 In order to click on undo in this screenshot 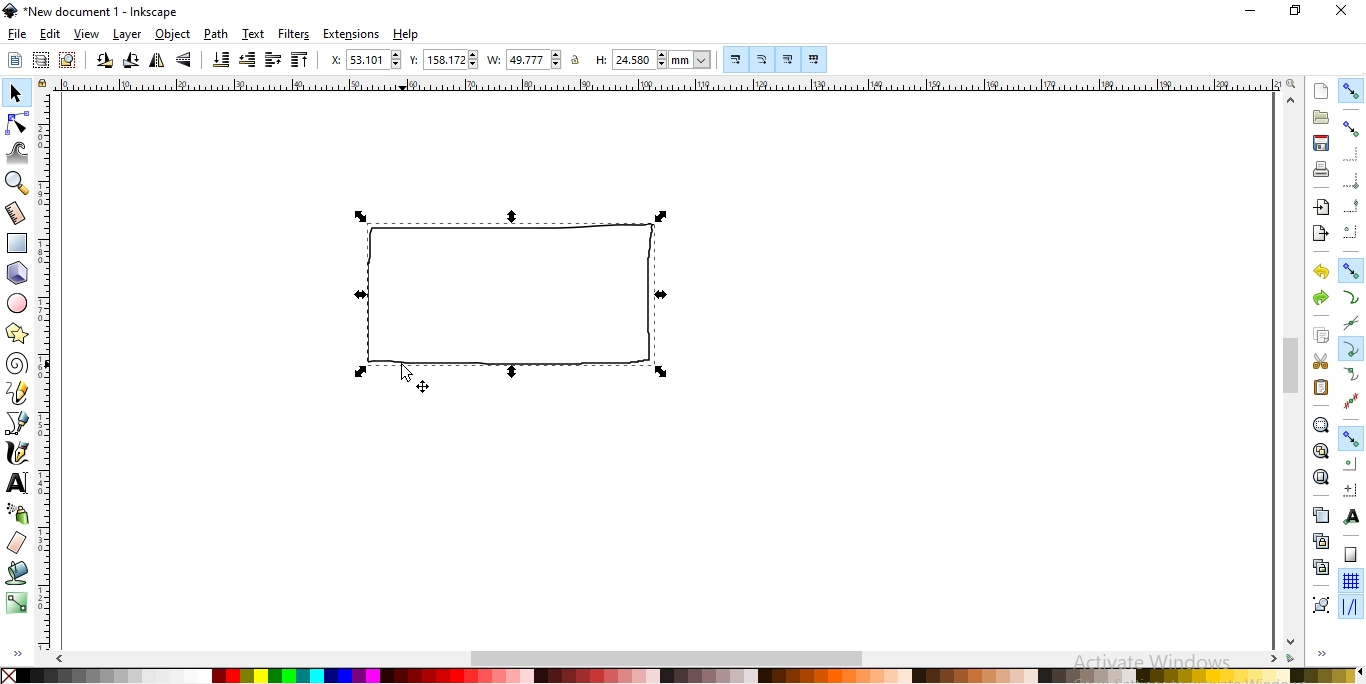, I will do `click(1320, 272)`.